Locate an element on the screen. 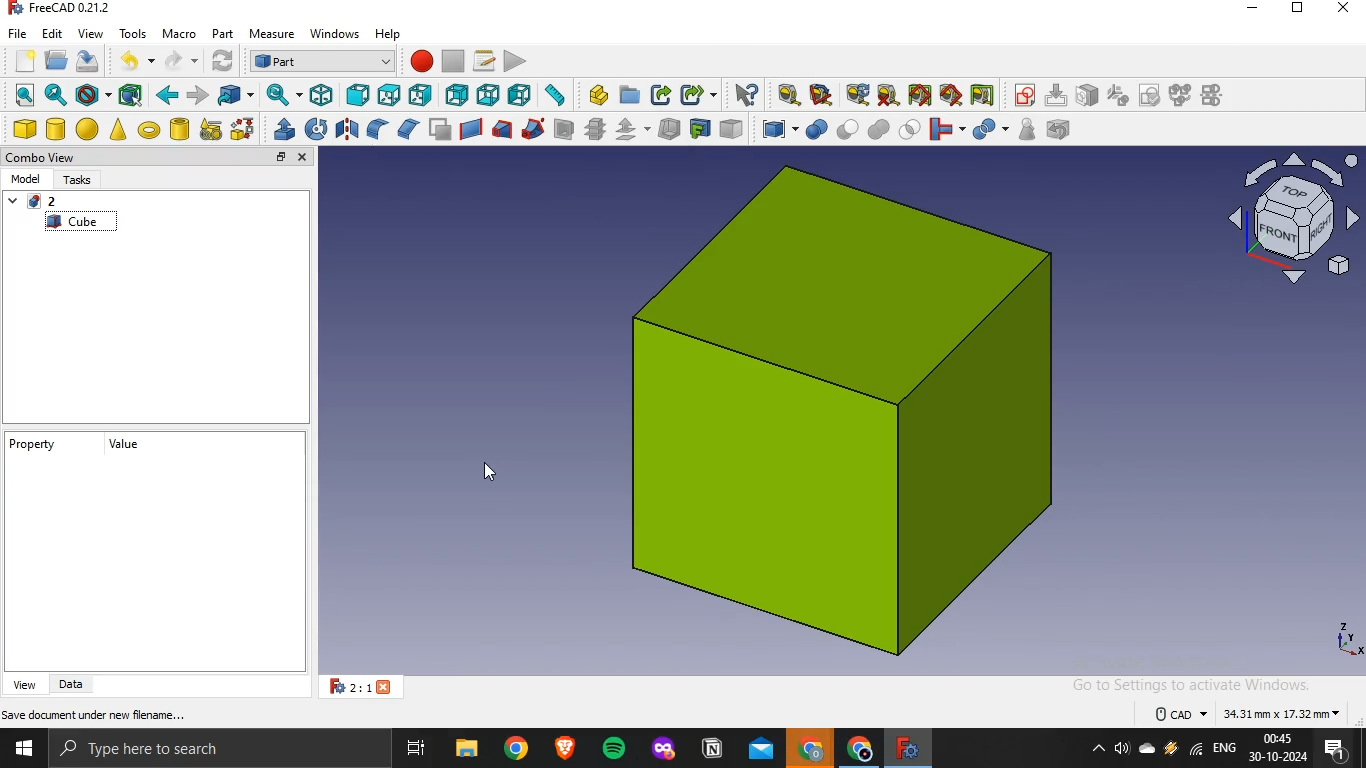  measure is located at coordinates (273, 33).